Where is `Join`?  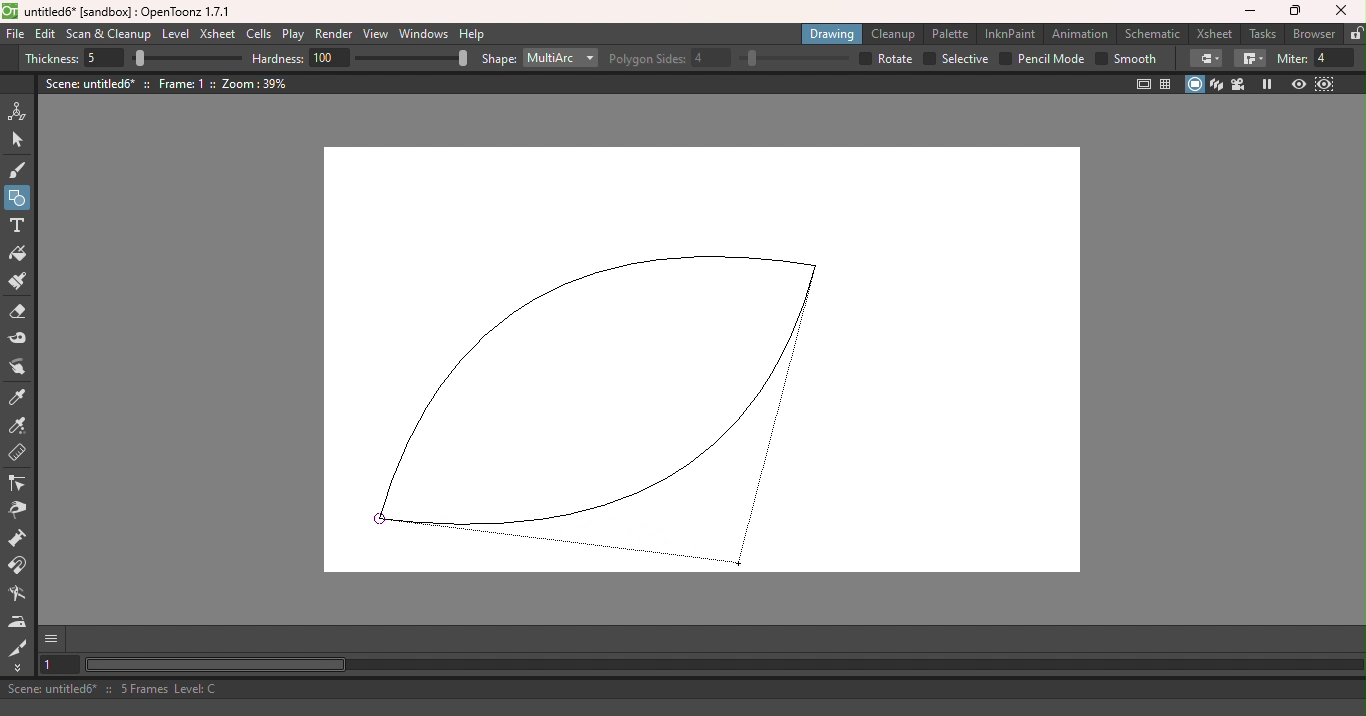
Join is located at coordinates (1249, 59).